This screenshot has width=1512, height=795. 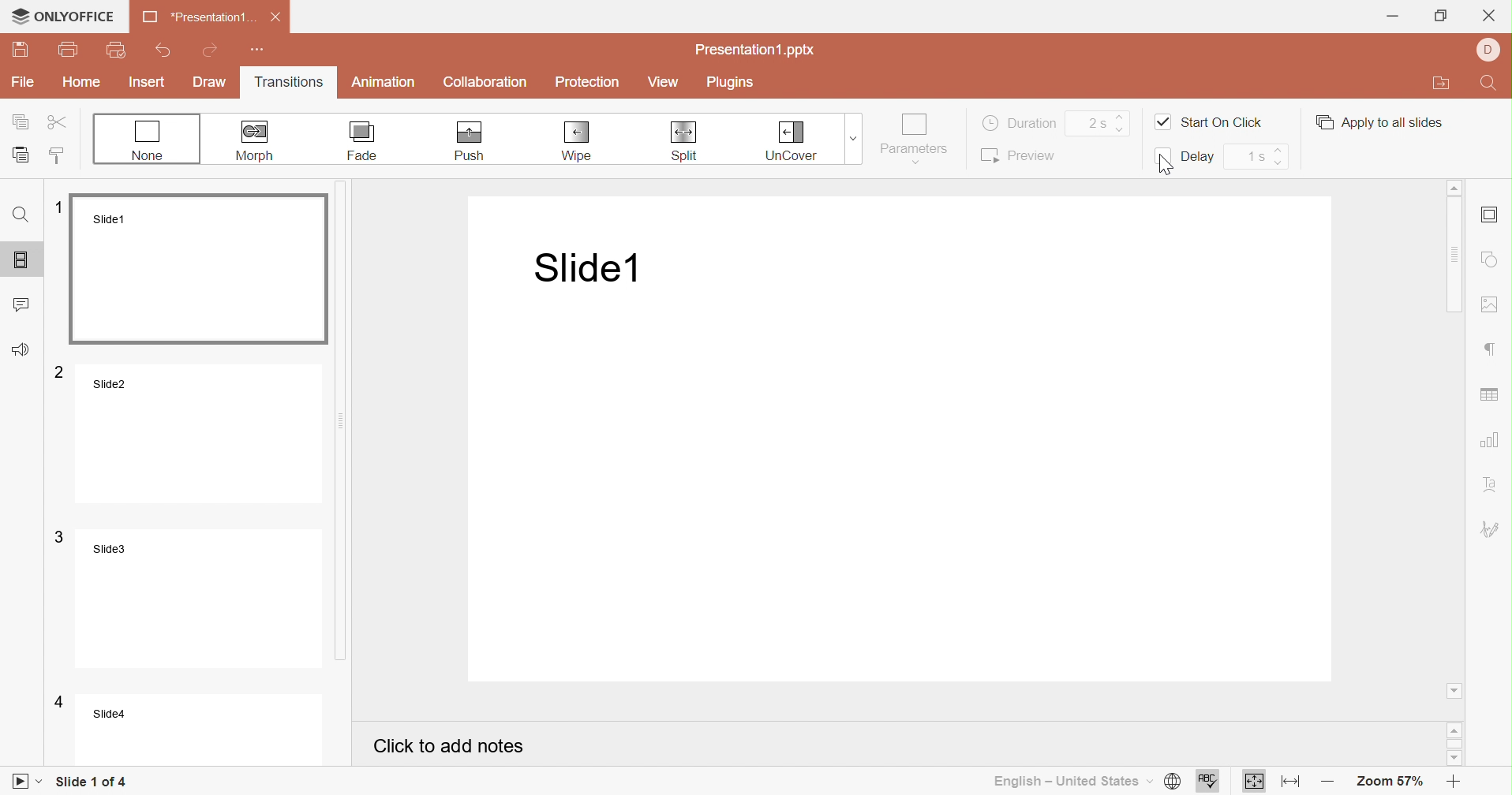 What do you see at coordinates (1456, 760) in the screenshot?
I see `Scroll down` at bounding box center [1456, 760].